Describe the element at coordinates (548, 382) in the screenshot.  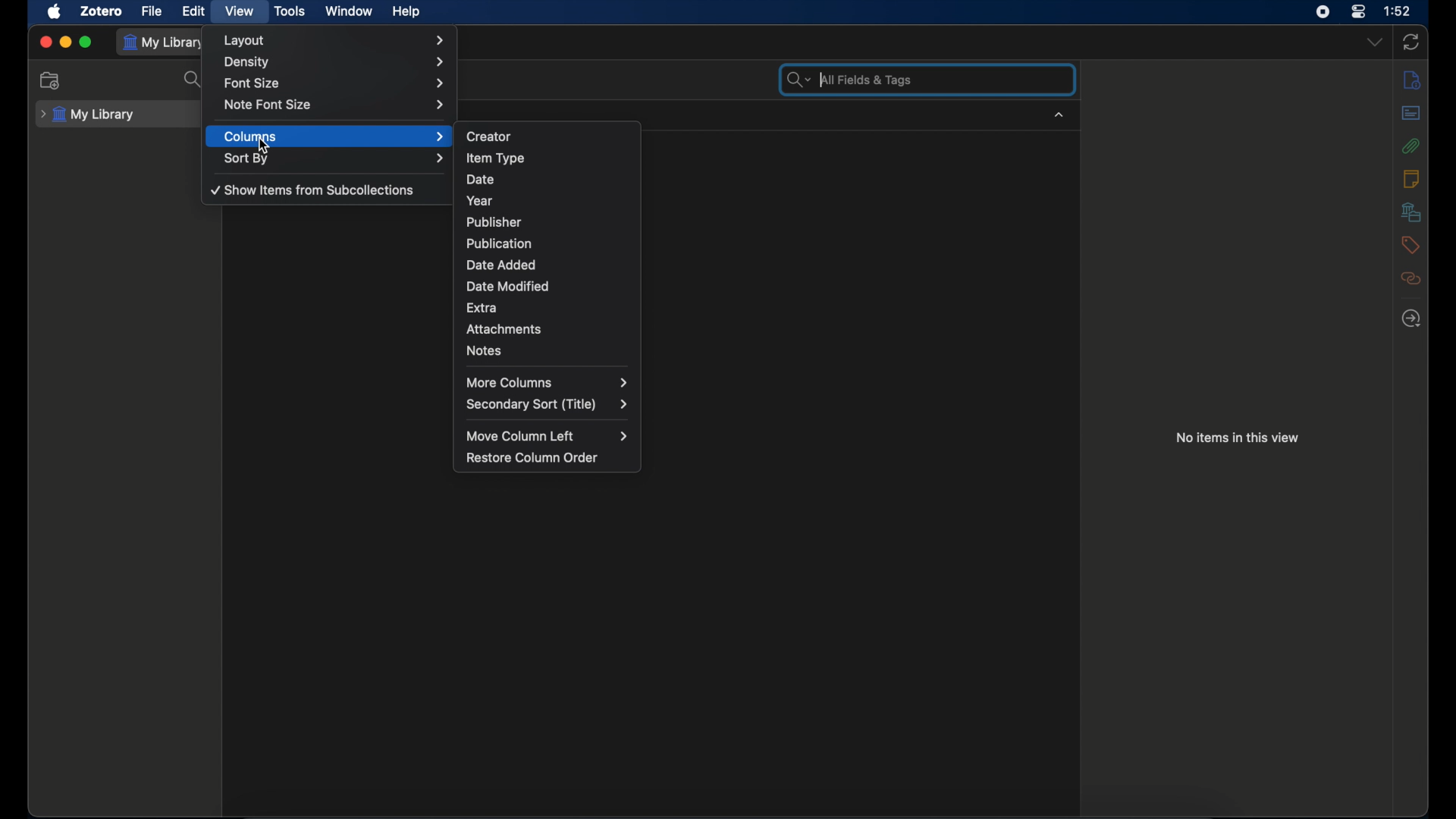
I see `more columns` at that location.